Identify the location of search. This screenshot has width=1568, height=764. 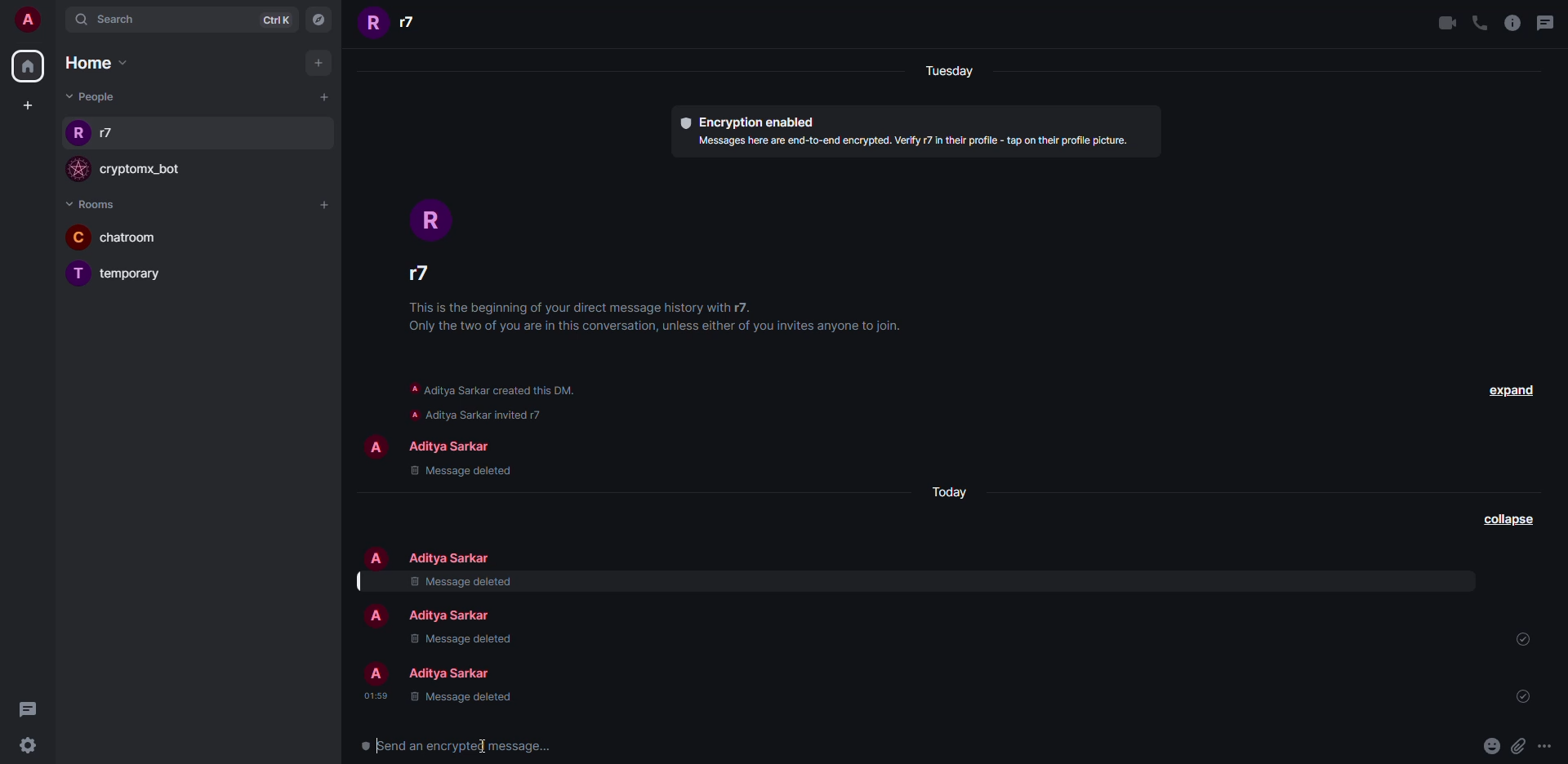
(122, 20).